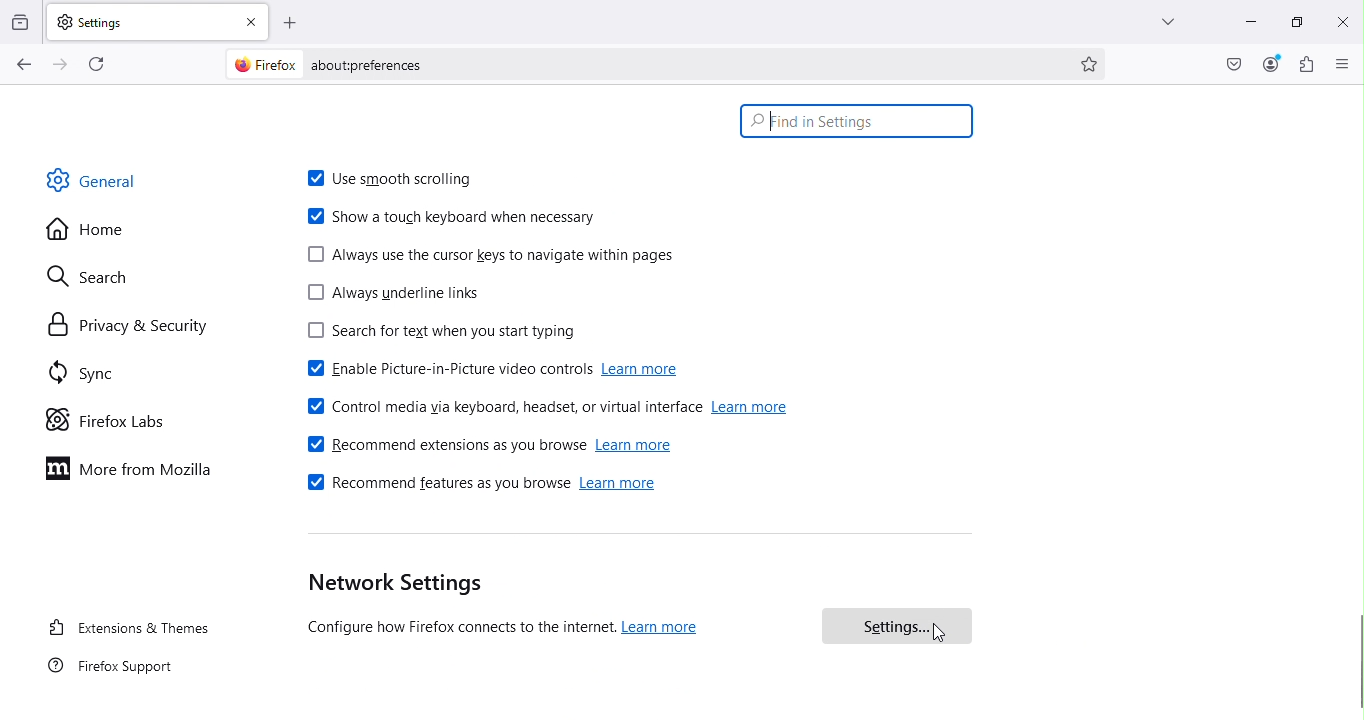 This screenshot has width=1364, height=720. I want to click on Close tab, so click(255, 21).